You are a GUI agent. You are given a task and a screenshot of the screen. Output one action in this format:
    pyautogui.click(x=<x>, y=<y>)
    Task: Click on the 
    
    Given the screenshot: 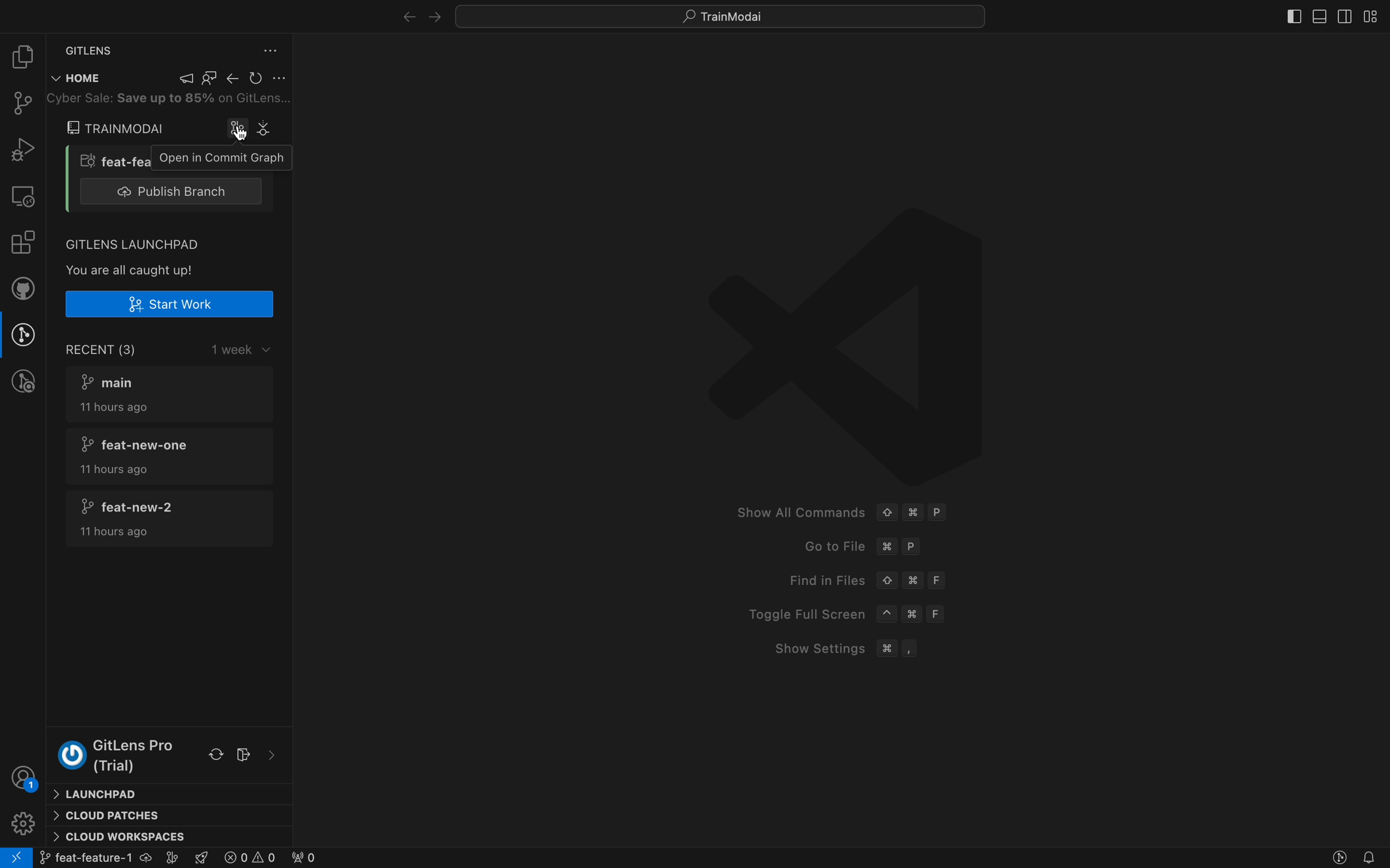 What is the action you would take?
    pyautogui.click(x=161, y=100)
    